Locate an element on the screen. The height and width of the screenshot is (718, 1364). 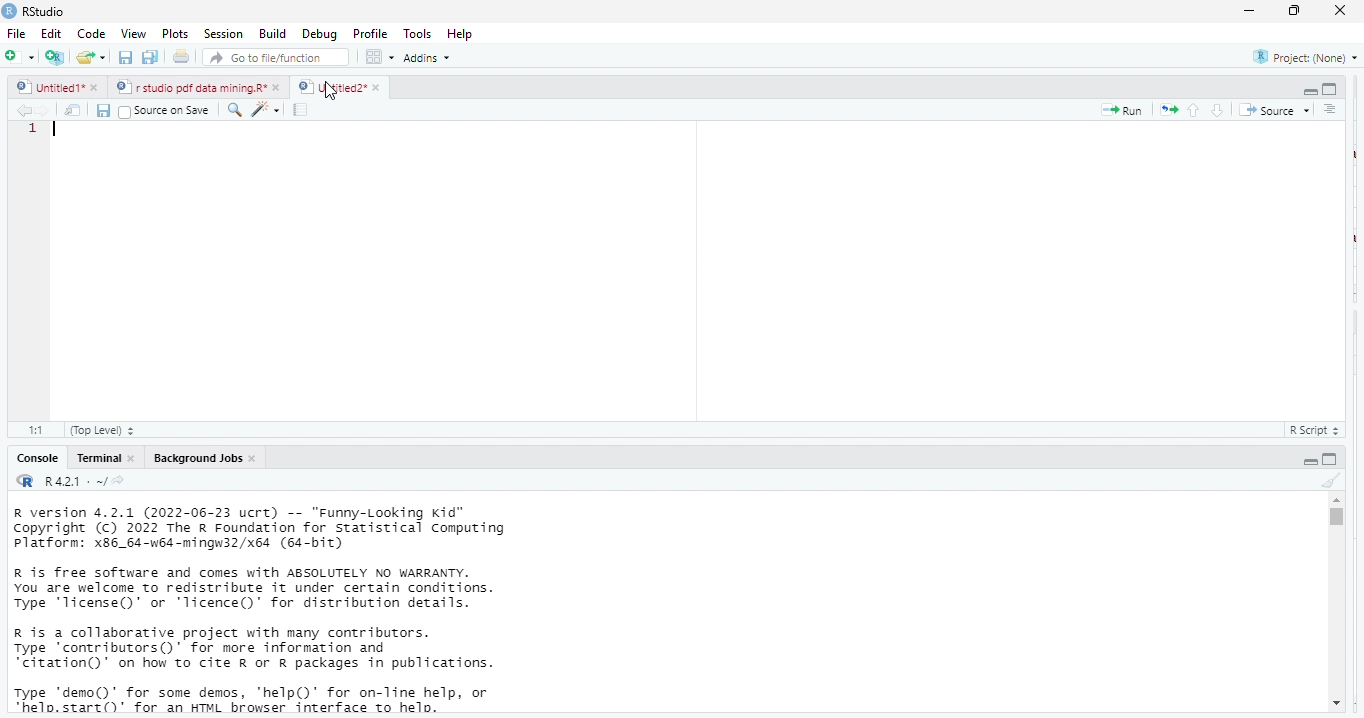
go back to the previous source location is located at coordinates (24, 110).